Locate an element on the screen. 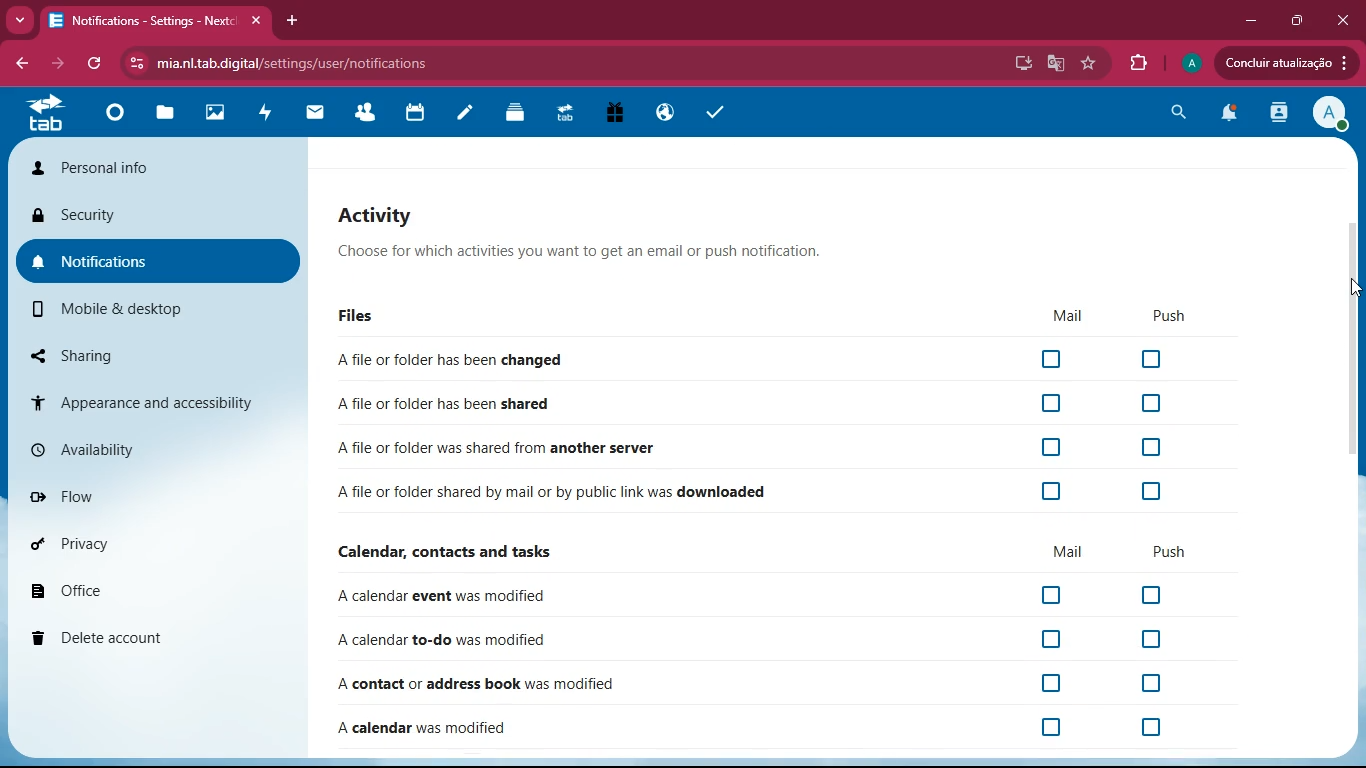 The height and width of the screenshot is (768, 1366). A file or folder has been shared is located at coordinates (445, 402).